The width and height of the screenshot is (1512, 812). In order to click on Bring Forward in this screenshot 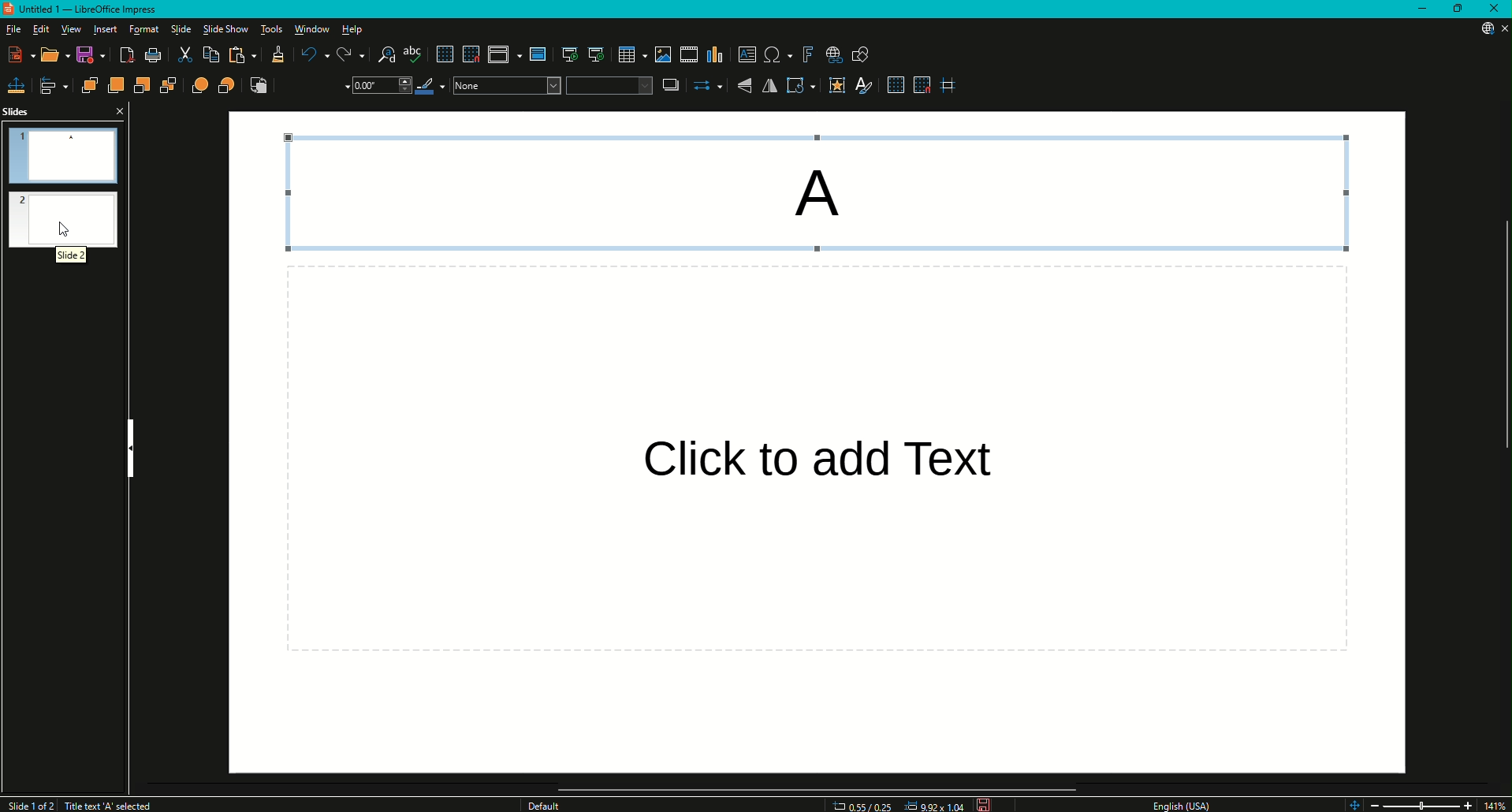, I will do `click(114, 85)`.